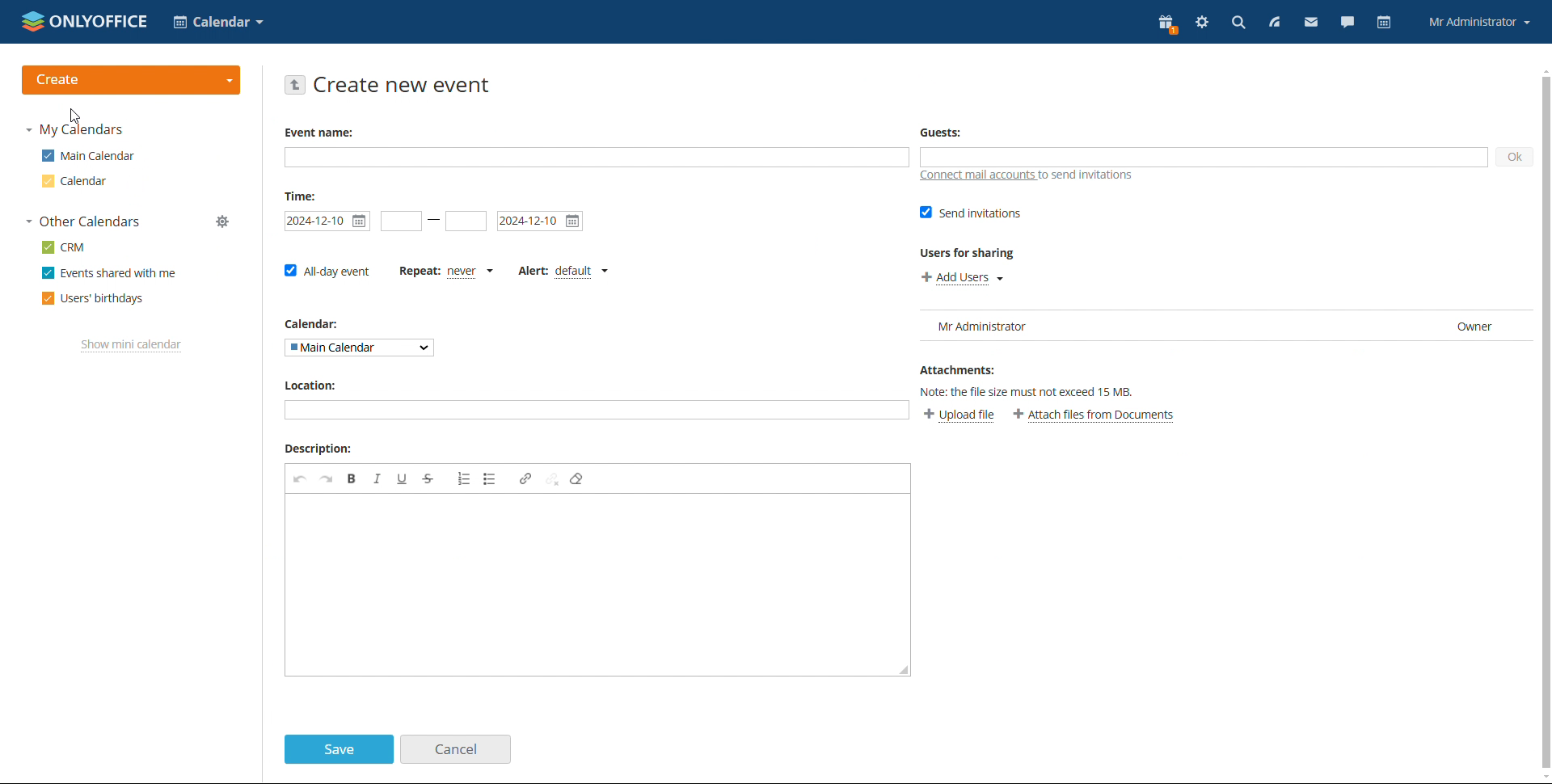 The width and height of the screenshot is (1552, 784). What do you see at coordinates (1479, 21) in the screenshot?
I see `account` at bounding box center [1479, 21].